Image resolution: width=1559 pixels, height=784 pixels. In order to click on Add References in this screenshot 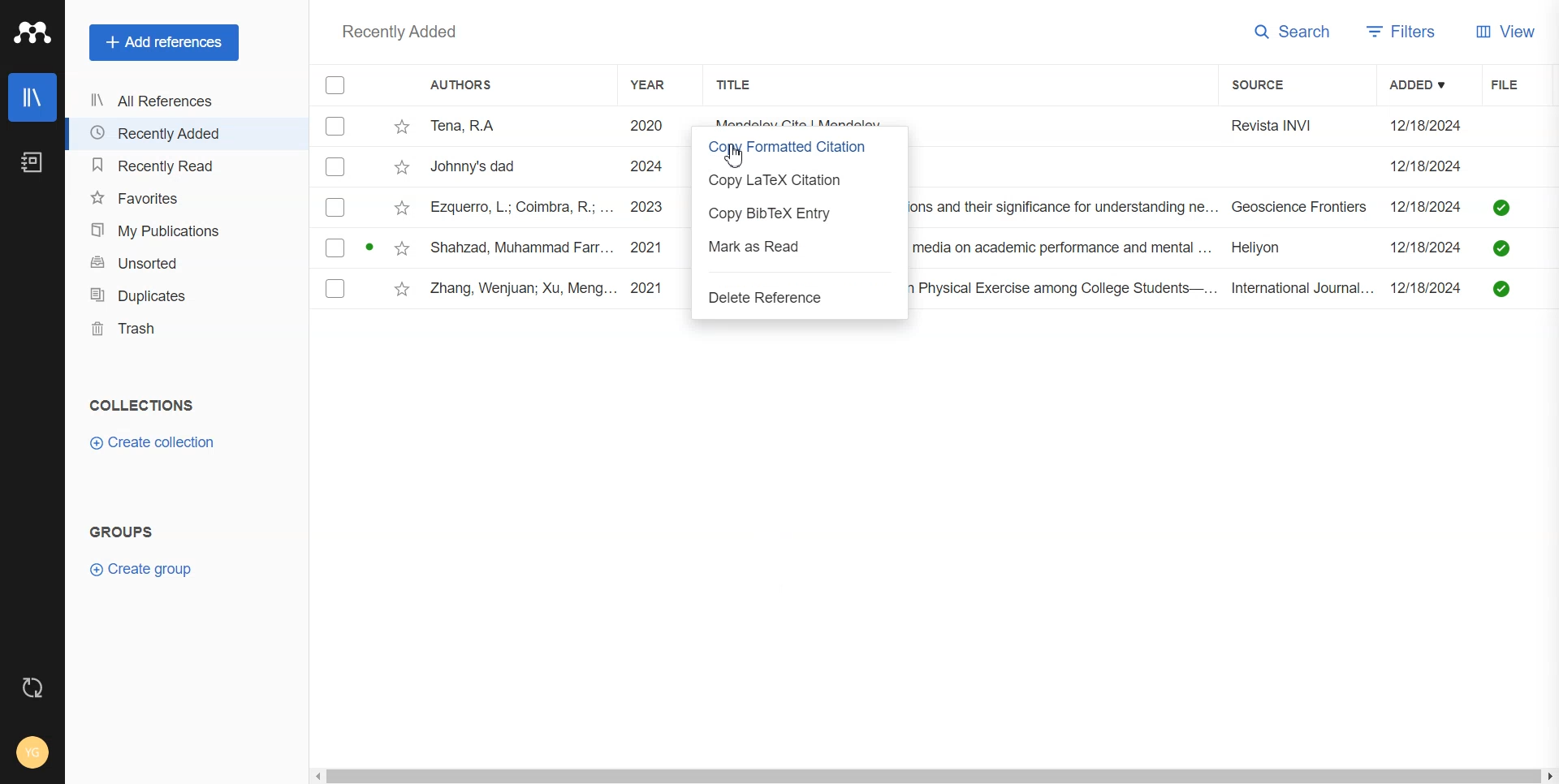, I will do `click(165, 43)`.